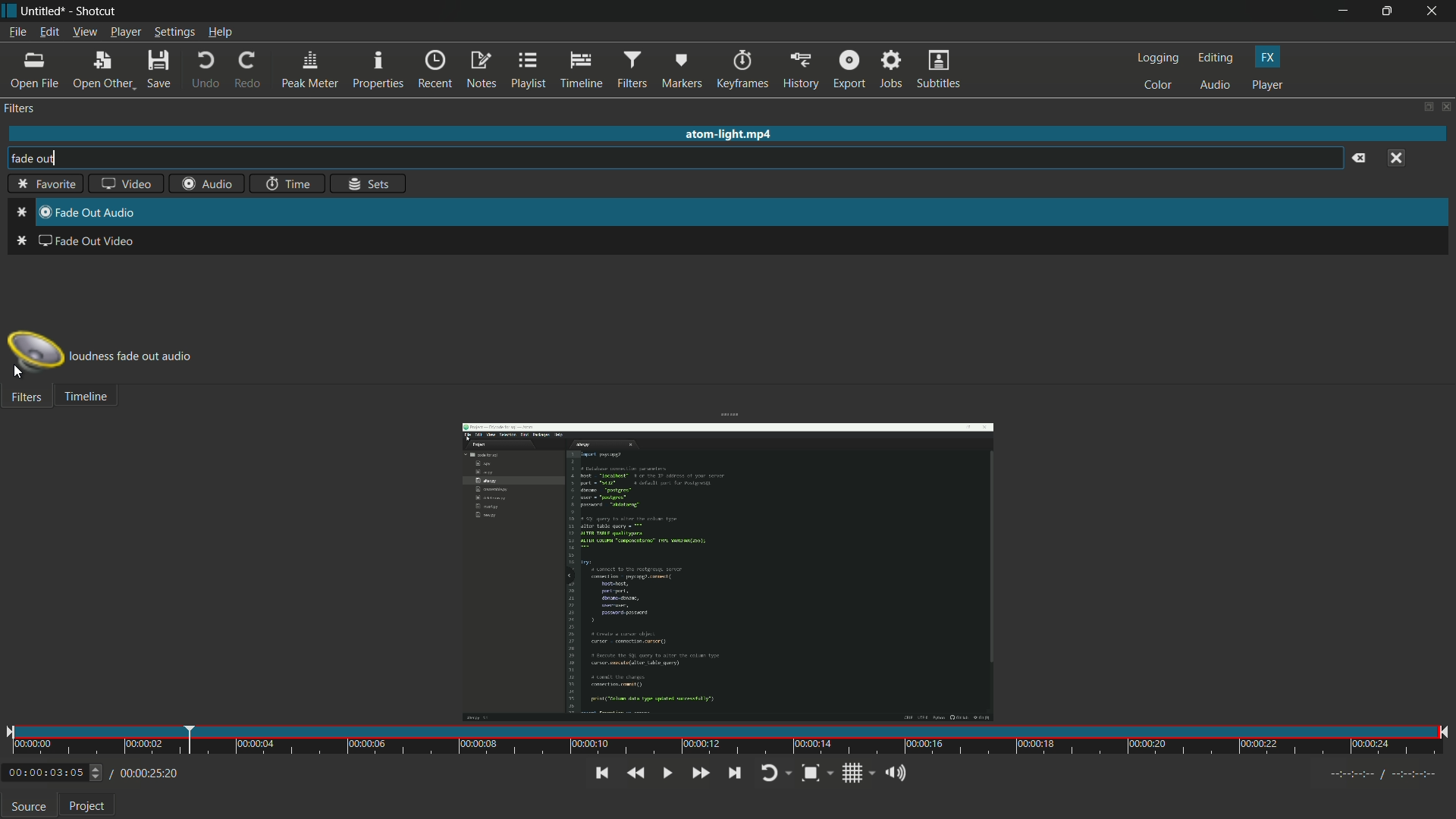 The image size is (1456, 819). I want to click on open other, so click(103, 71).